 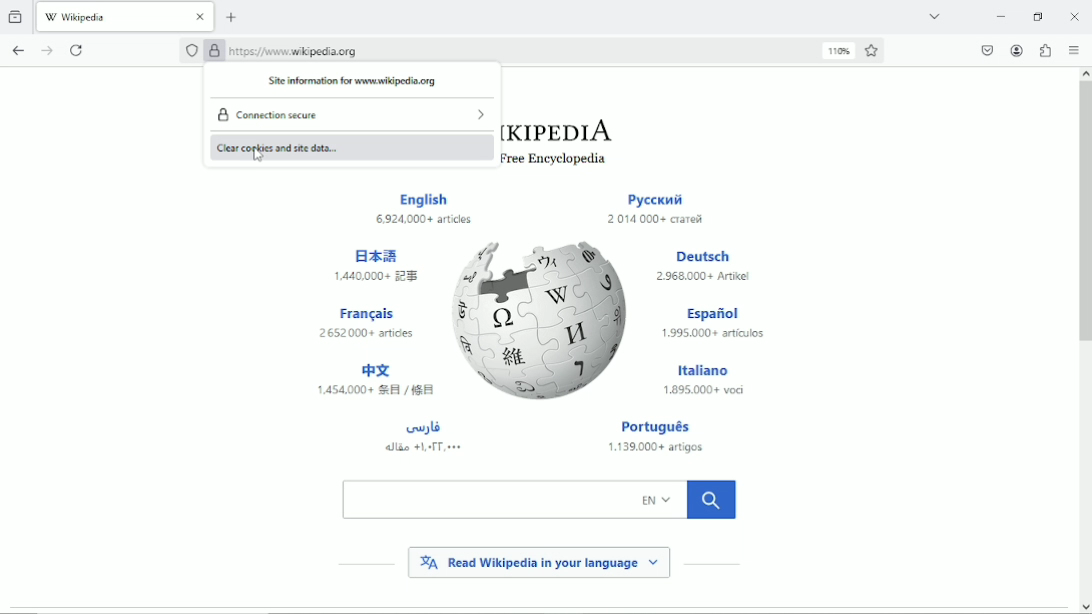 What do you see at coordinates (1001, 16) in the screenshot?
I see `minimize` at bounding box center [1001, 16].